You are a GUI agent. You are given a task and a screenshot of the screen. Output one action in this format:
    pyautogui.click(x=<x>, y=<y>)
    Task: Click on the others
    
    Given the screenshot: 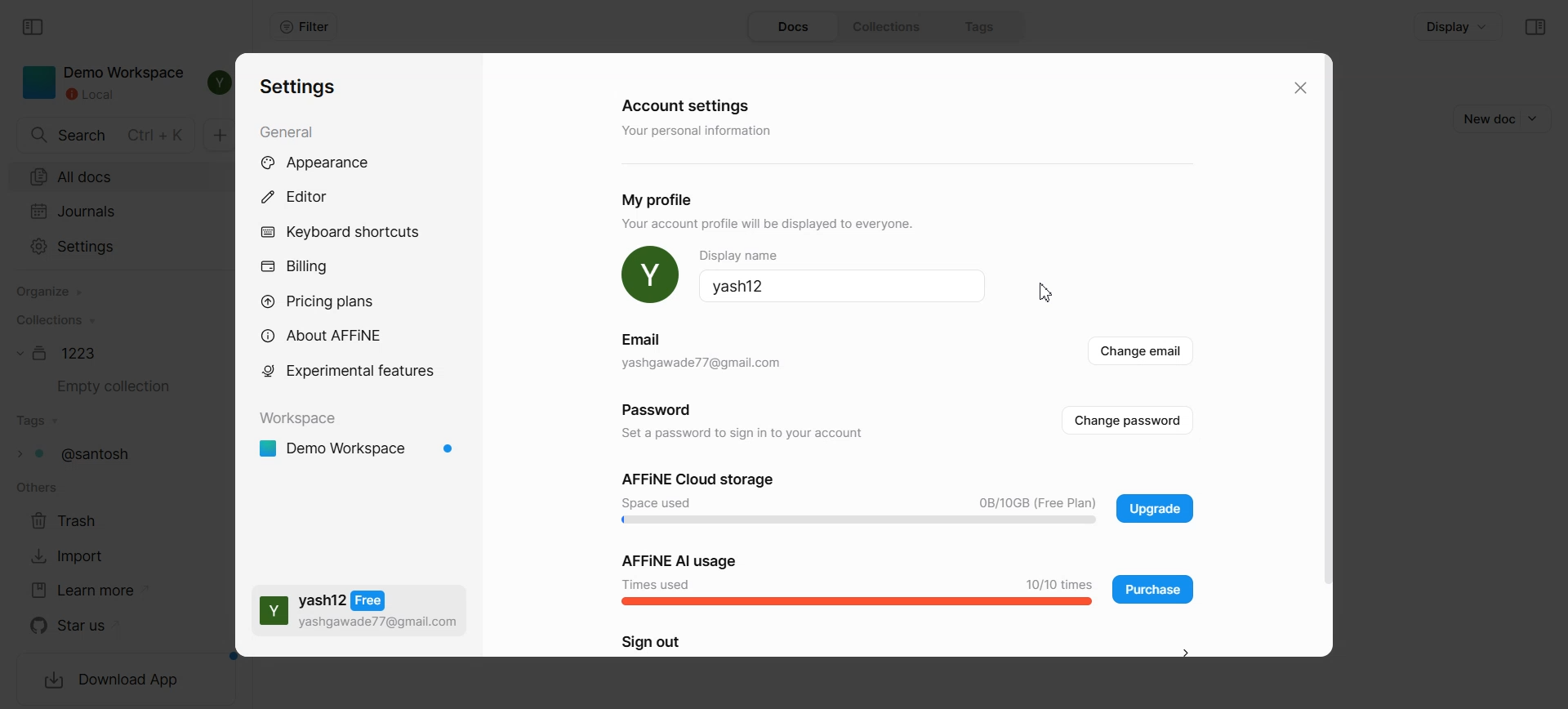 What is the action you would take?
    pyautogui.click(x=34, y=488)
    